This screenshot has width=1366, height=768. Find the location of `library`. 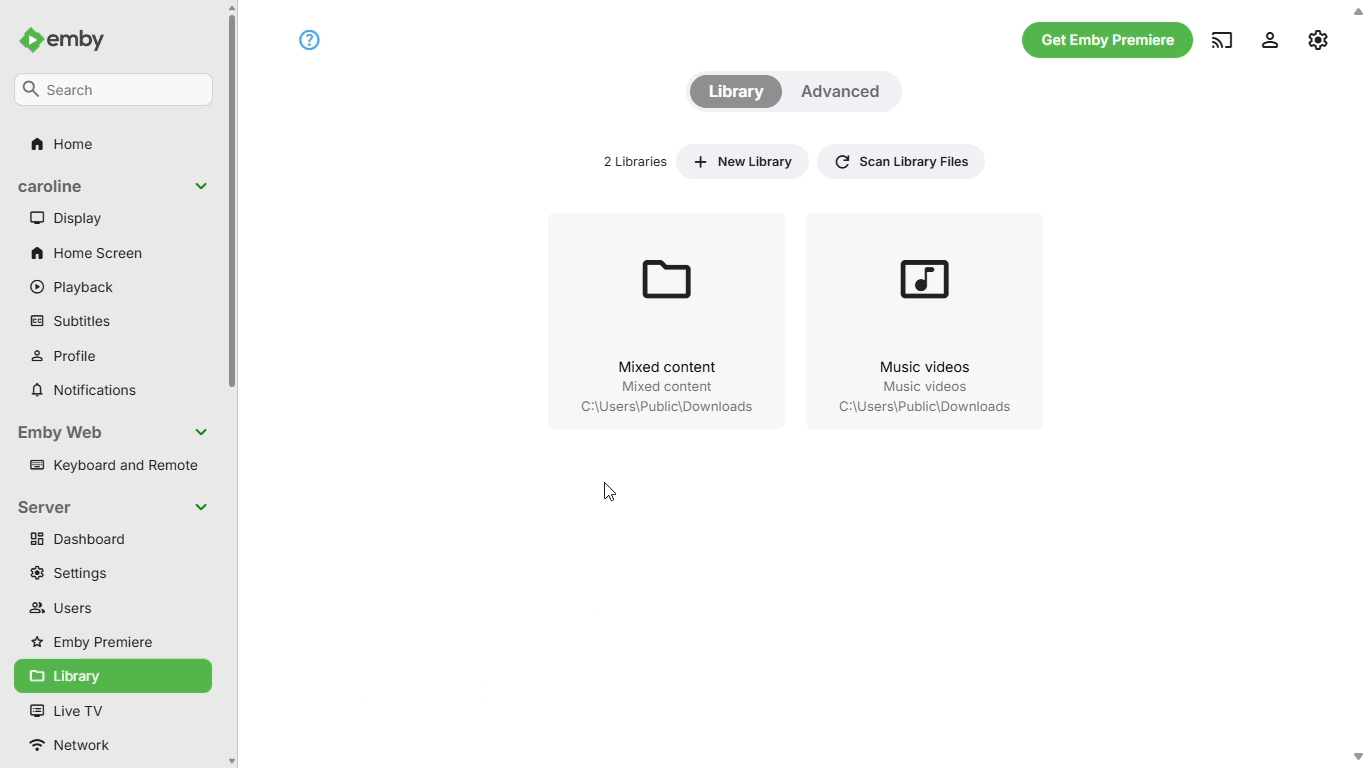

library is located at coordinates (112, 676).